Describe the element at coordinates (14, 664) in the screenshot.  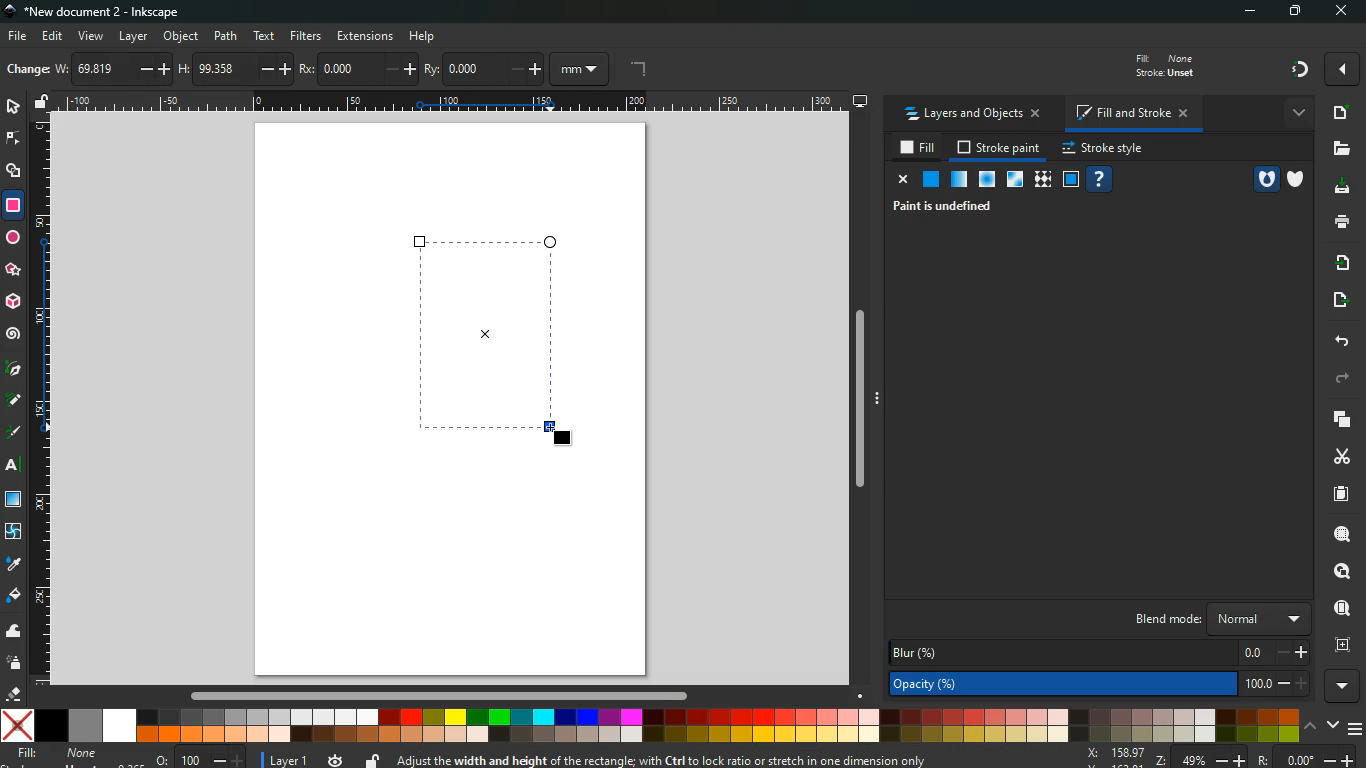
I see `spray` at that location.